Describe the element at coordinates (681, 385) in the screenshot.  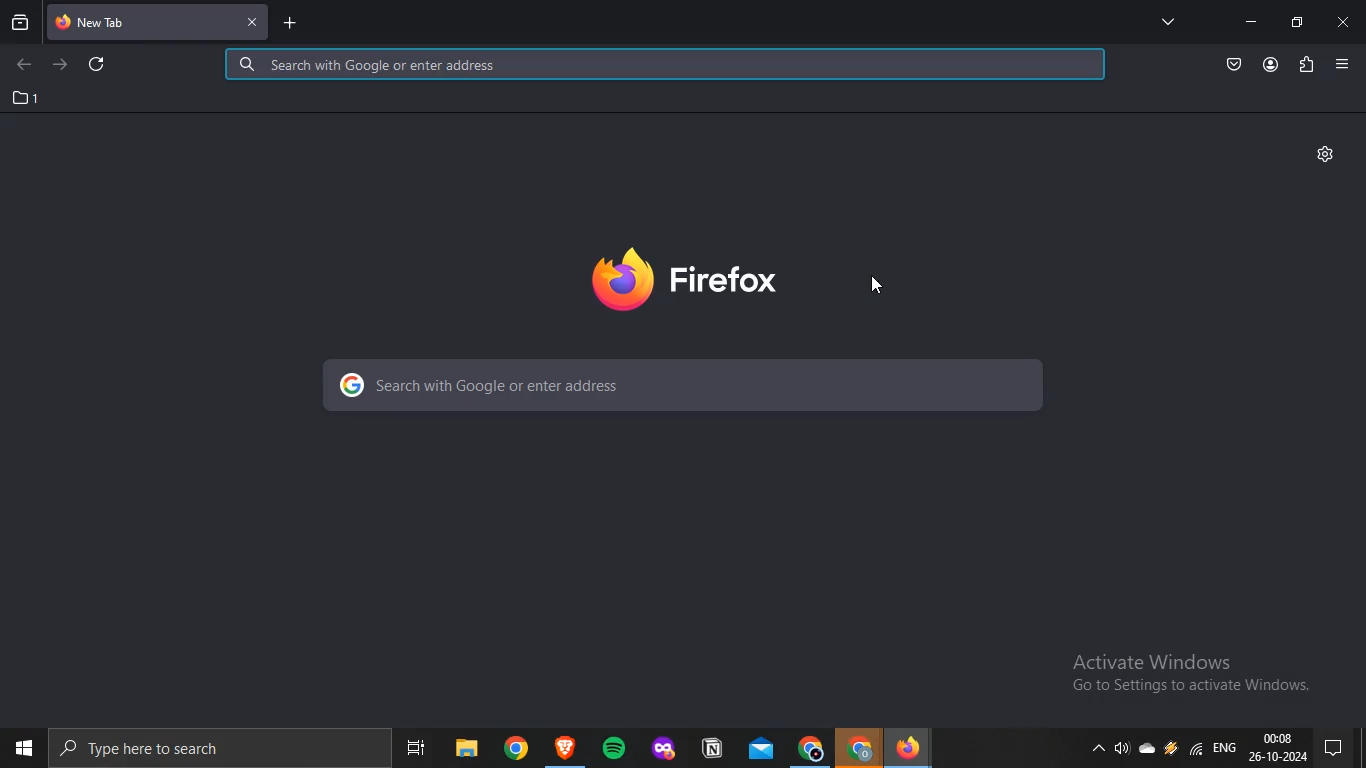
I see `search with google or enter address` at that location.